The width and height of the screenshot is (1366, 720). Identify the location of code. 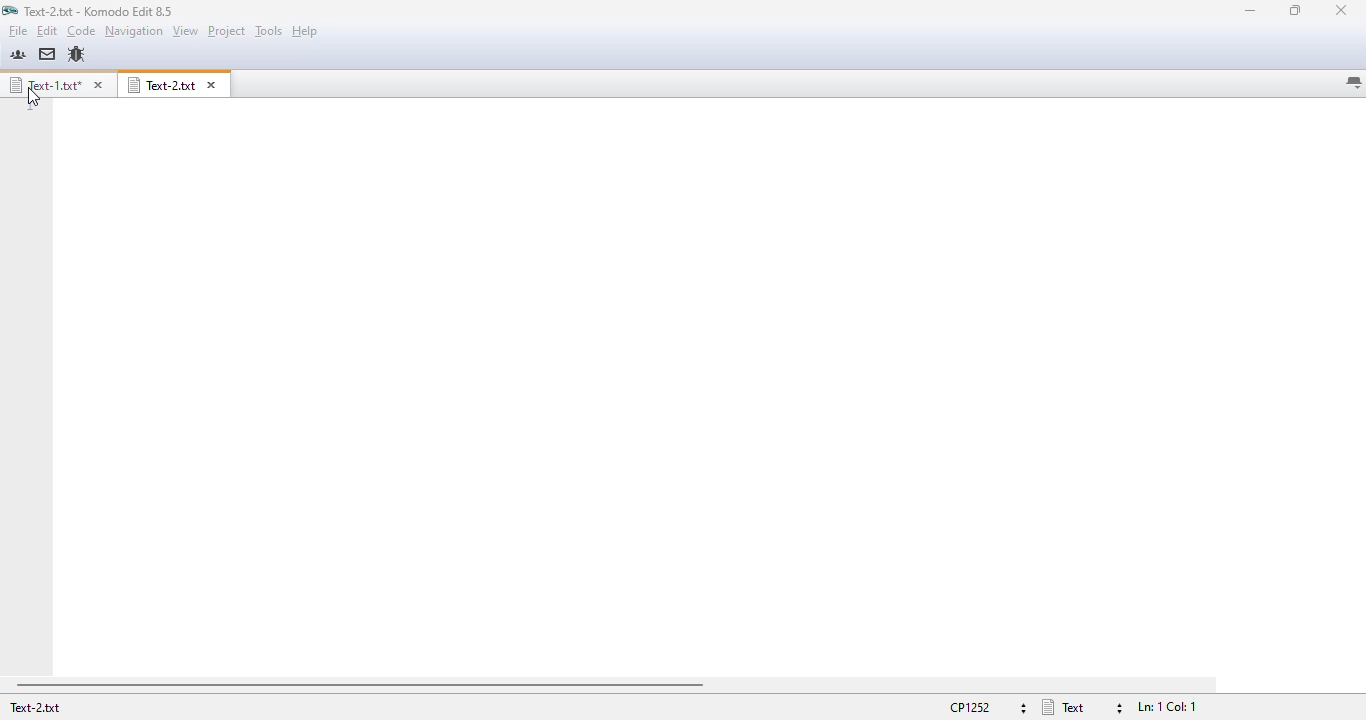
(81, 31).